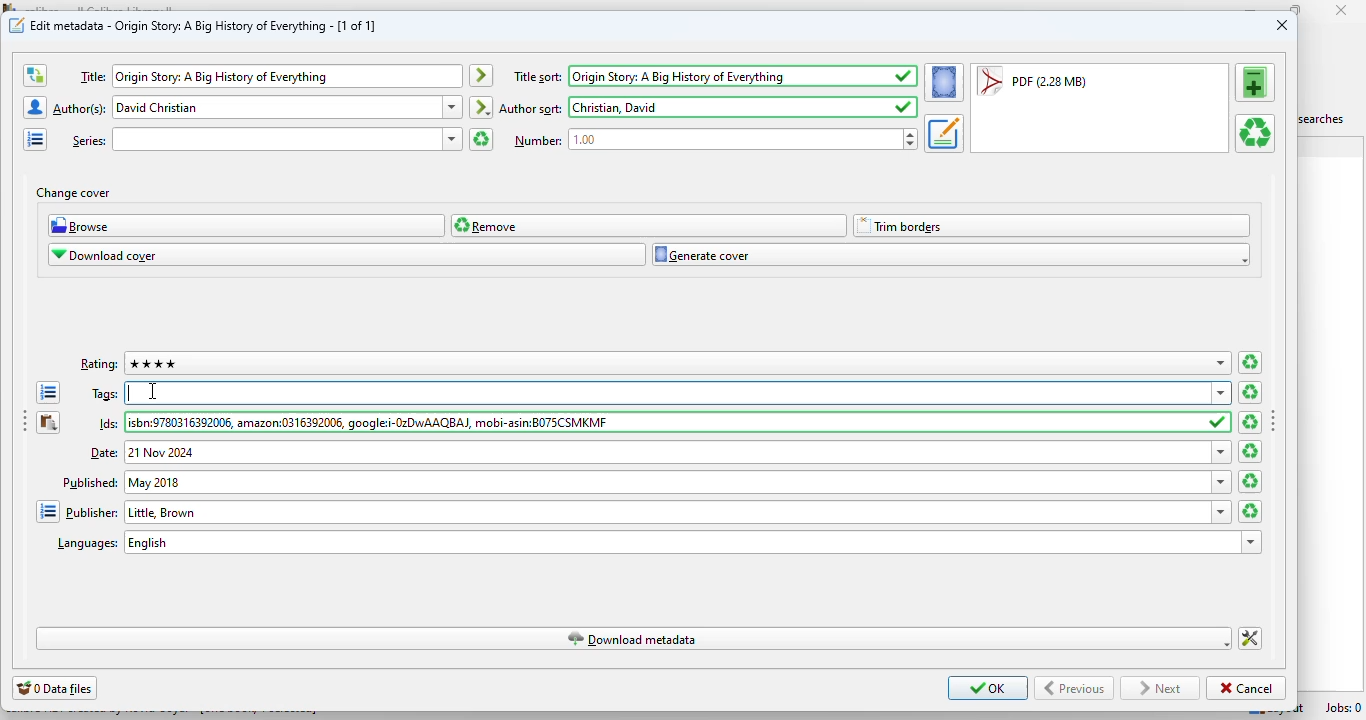  What do you see at coordinates (668, 452) in the screenshot?
I see `date: 21 Nov 2024` at bounding box center [668, 452].